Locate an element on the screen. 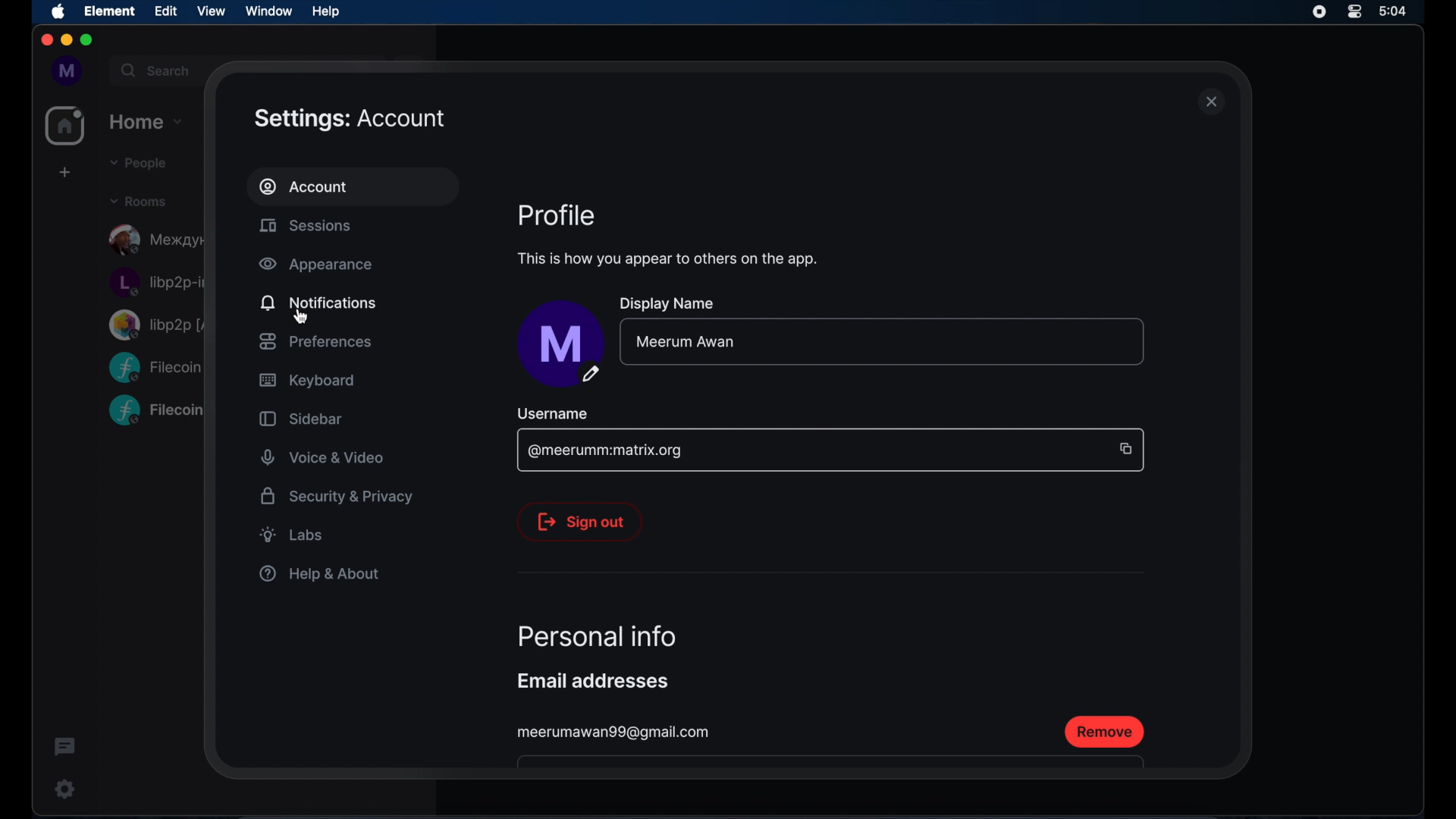 The image size is (1456, 819). edit profile picture is located at coordinates (560, 344).